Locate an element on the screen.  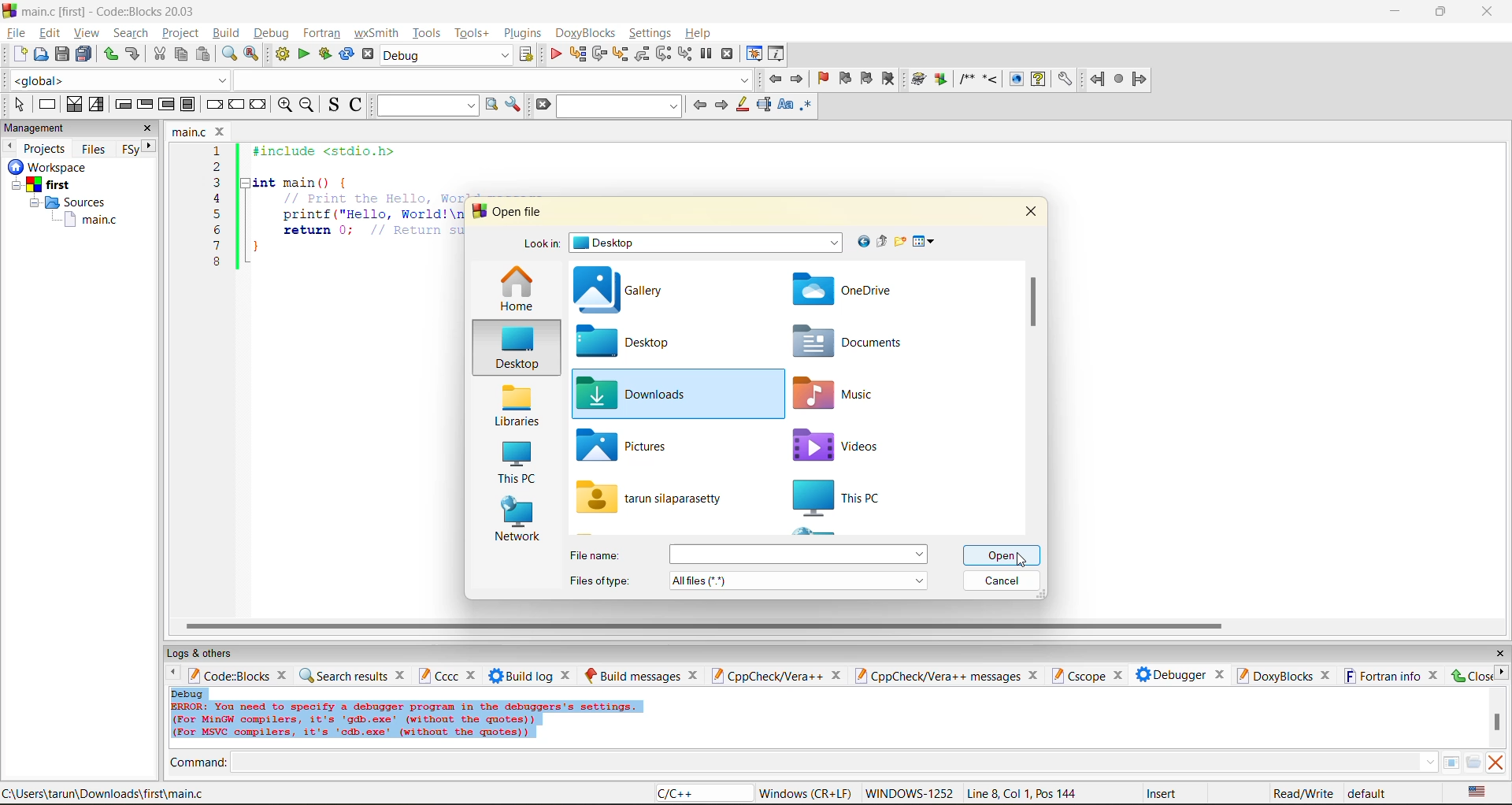
close is located at coordinates (222, 132).